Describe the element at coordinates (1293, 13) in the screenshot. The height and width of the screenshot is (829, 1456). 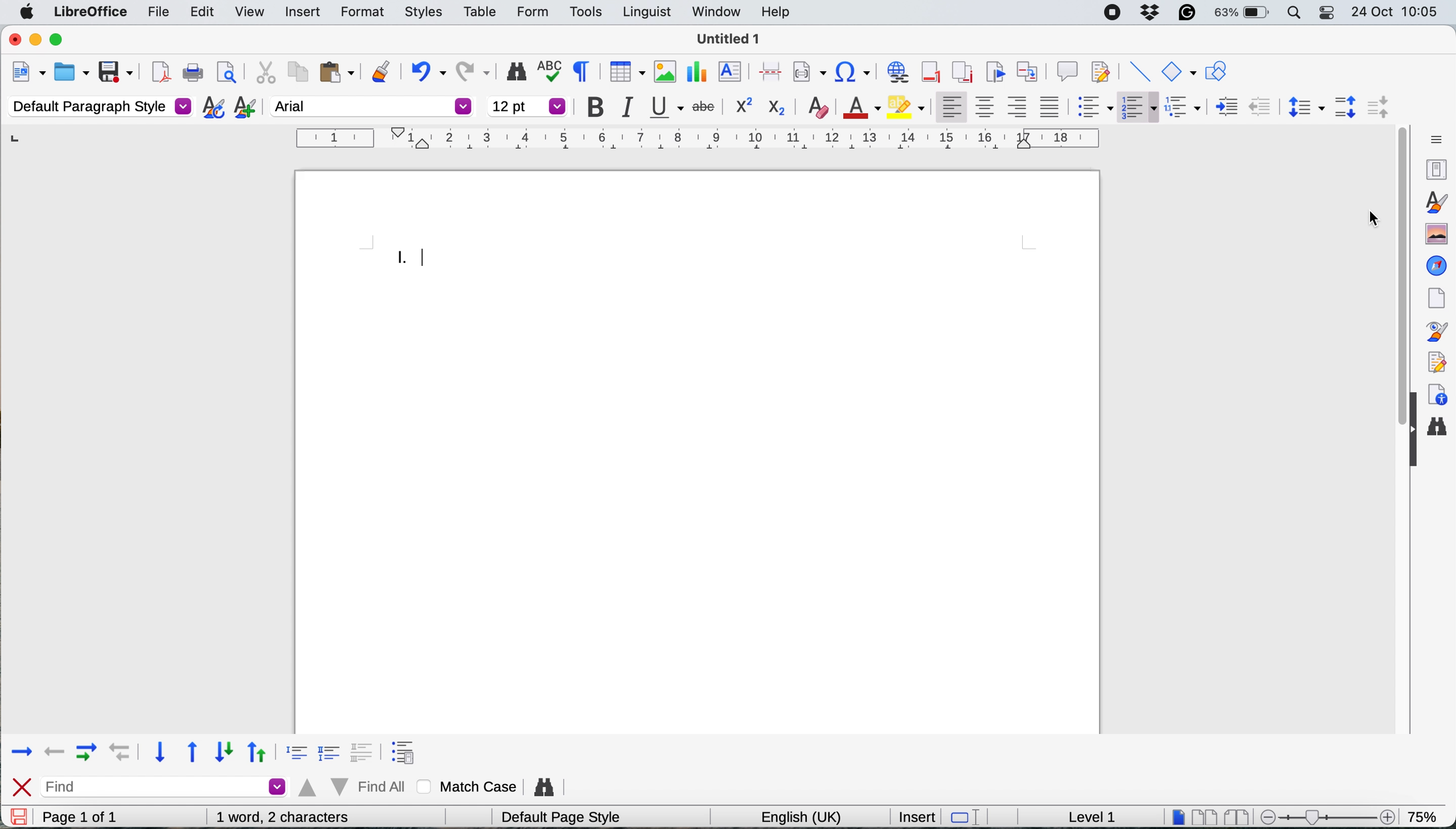
I see `spotlight search` at that location.